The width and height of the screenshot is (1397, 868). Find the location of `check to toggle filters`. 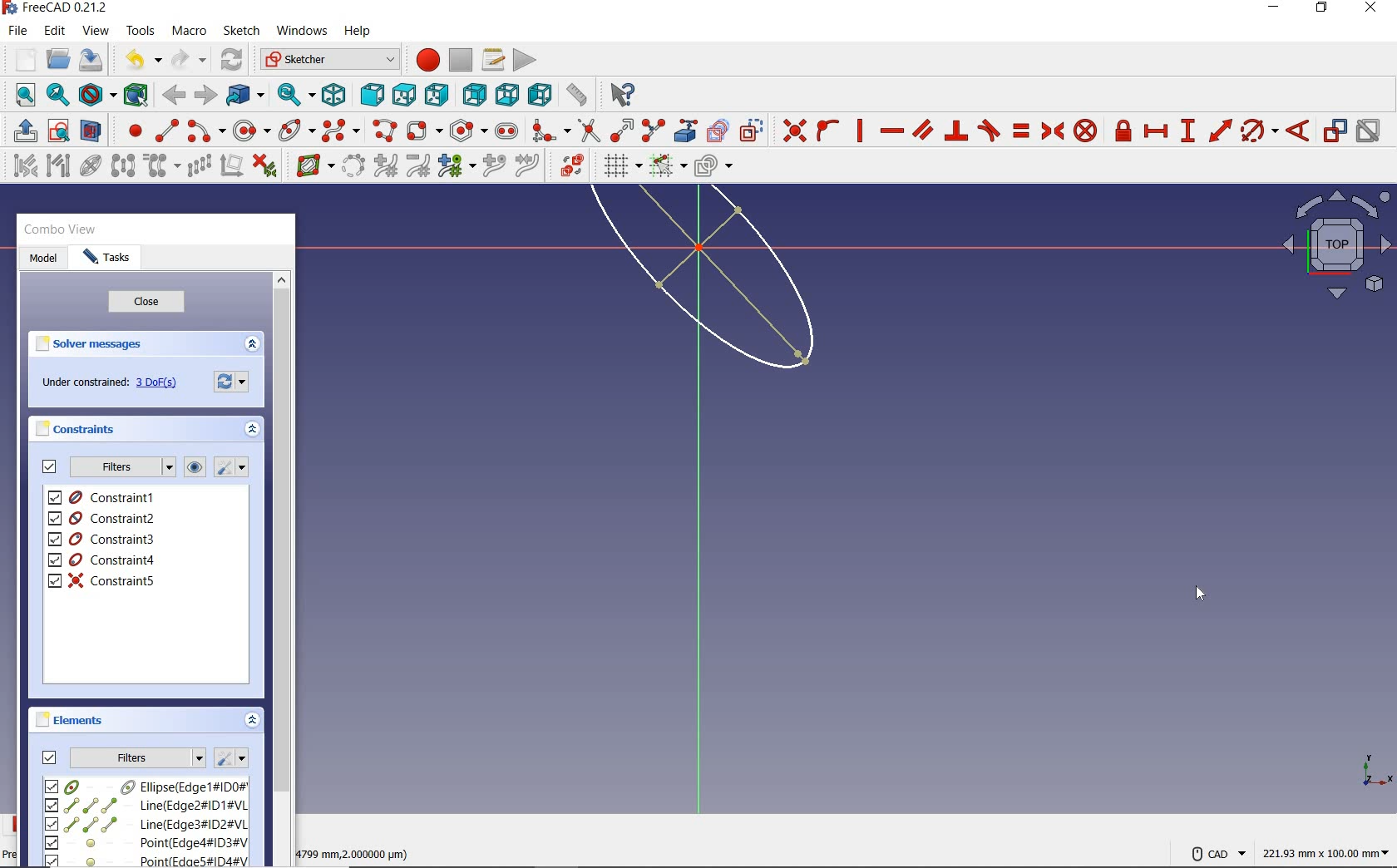

check to toggle filters is located at coordinates (50, 466).